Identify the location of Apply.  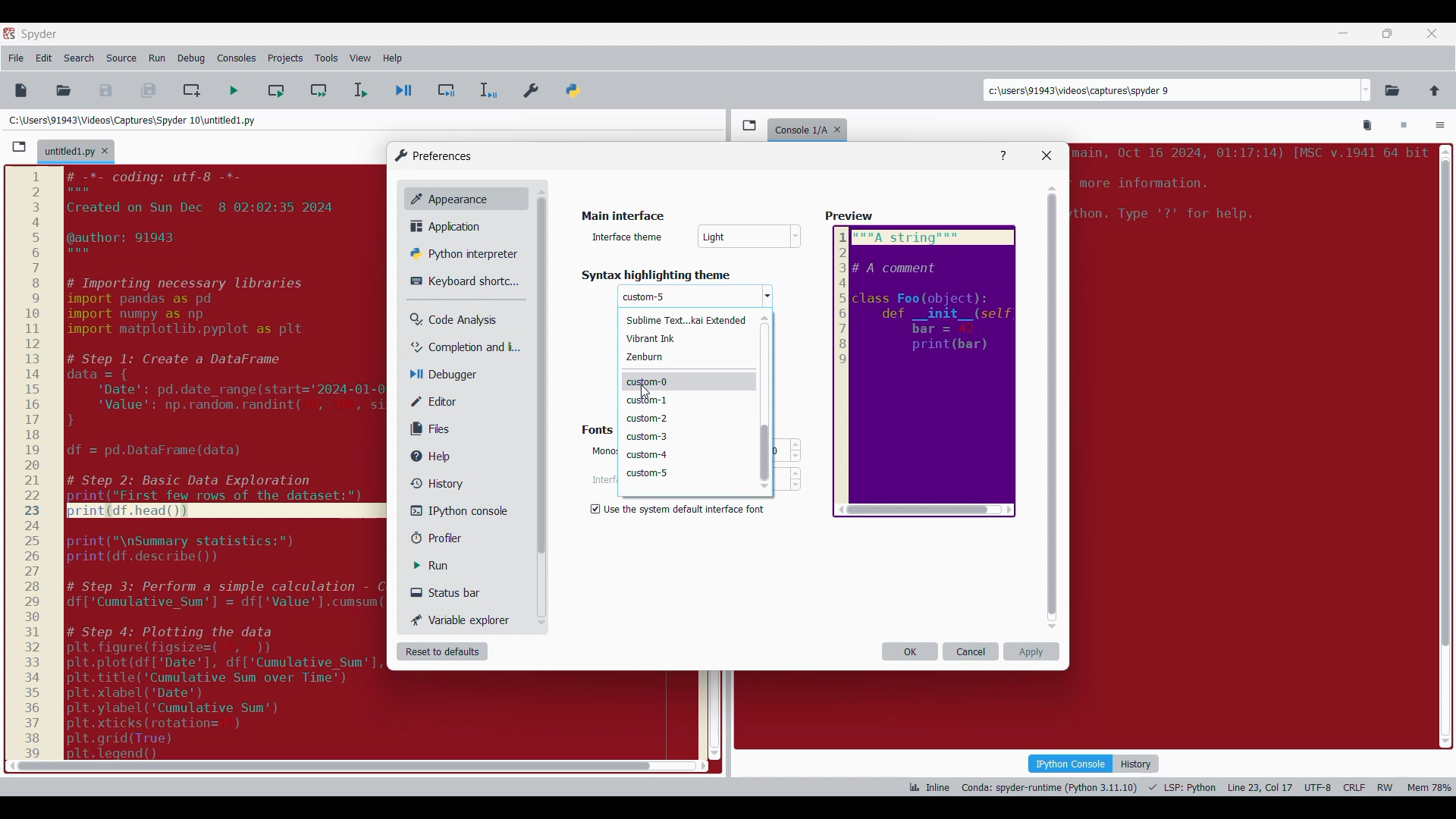
(1031, 651).